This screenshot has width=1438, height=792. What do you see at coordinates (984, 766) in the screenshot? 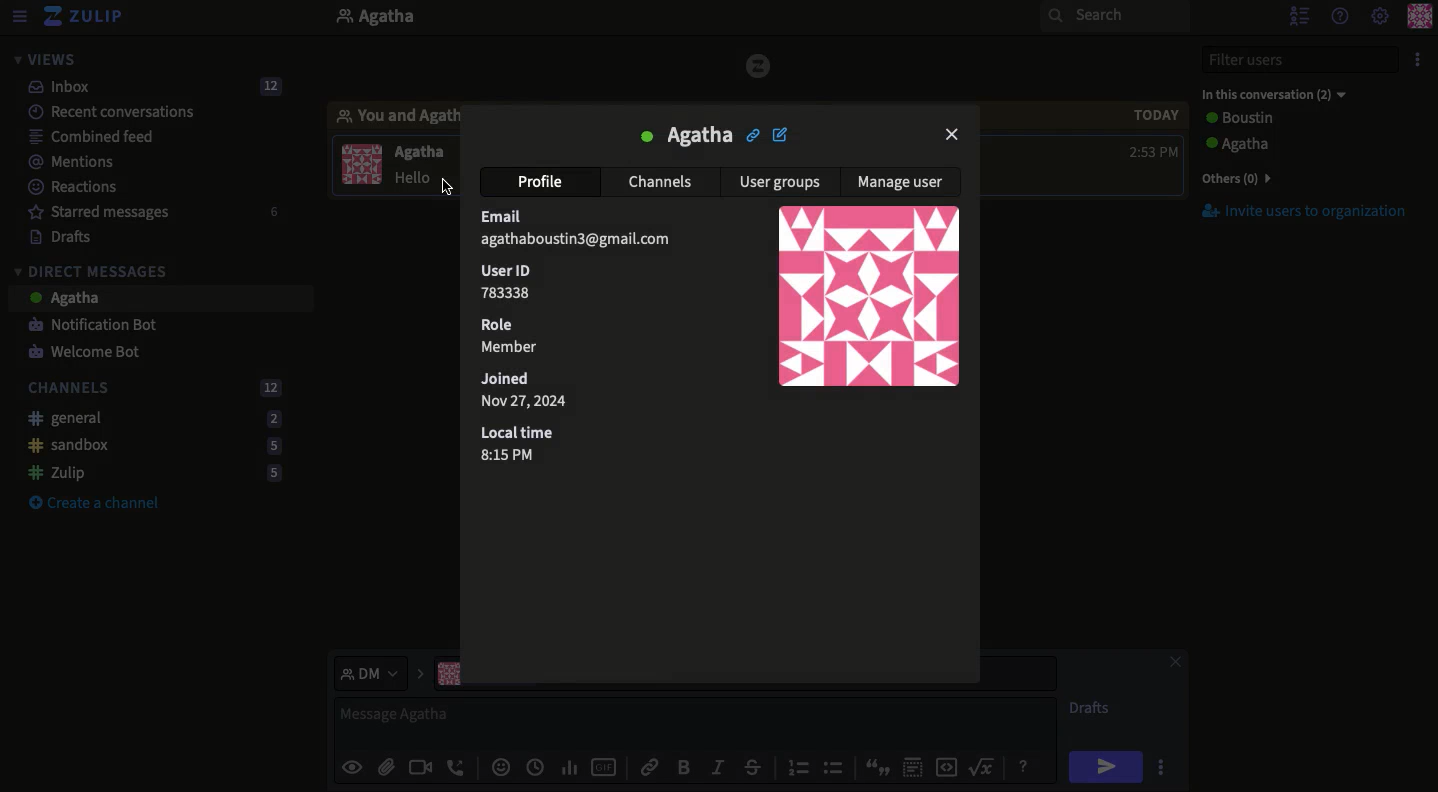
I see `Square root` at bounding box center [984, 766].